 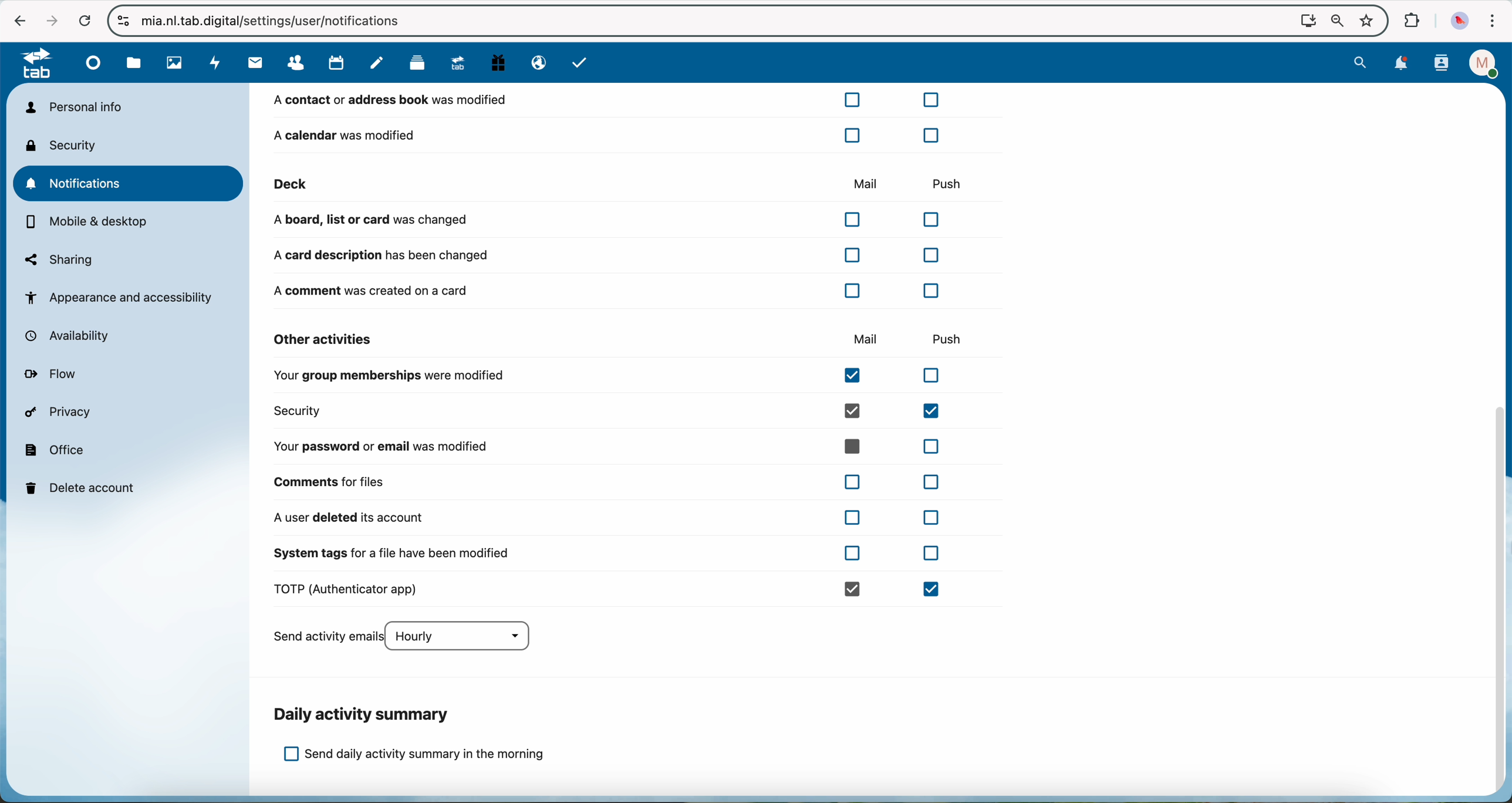 What do you see at coordinates (377, 63) in the screenshot?
I see `notes` at bounding box center [377, 63].